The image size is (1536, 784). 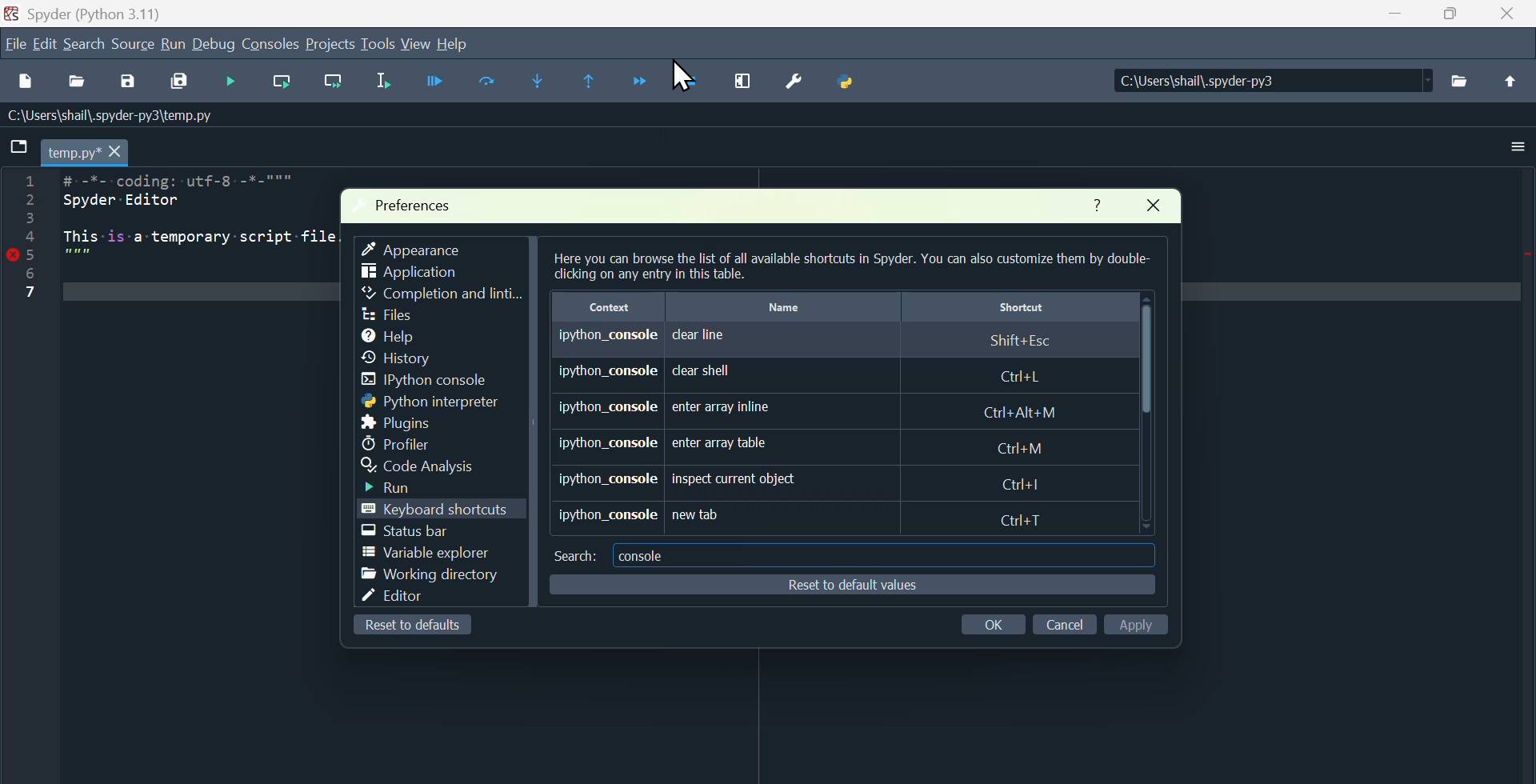 I want to click on Help, so click(x=1093, y=202).